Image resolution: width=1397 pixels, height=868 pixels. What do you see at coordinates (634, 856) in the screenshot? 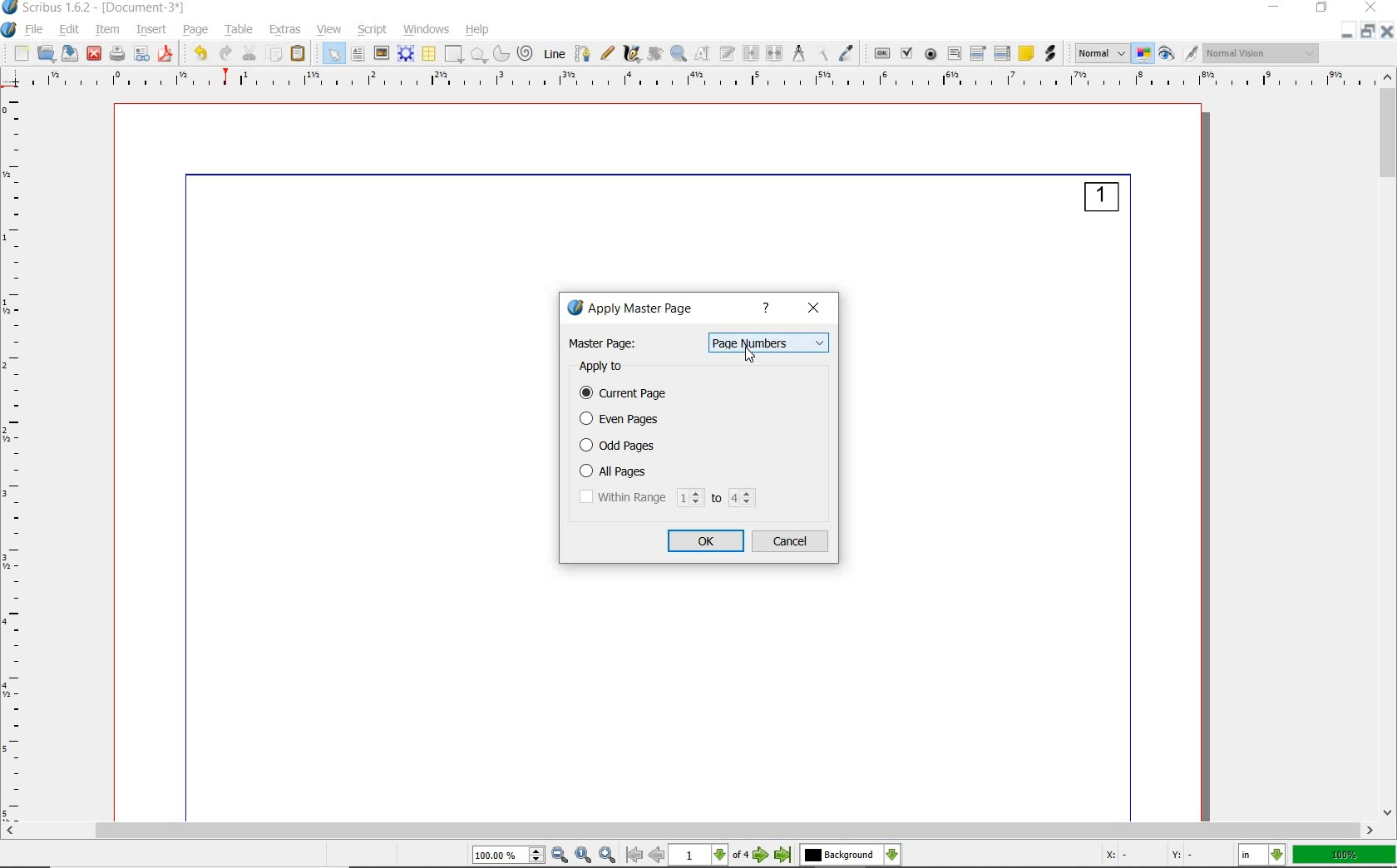
I see `go to first page` at bounding box center [634, 856].